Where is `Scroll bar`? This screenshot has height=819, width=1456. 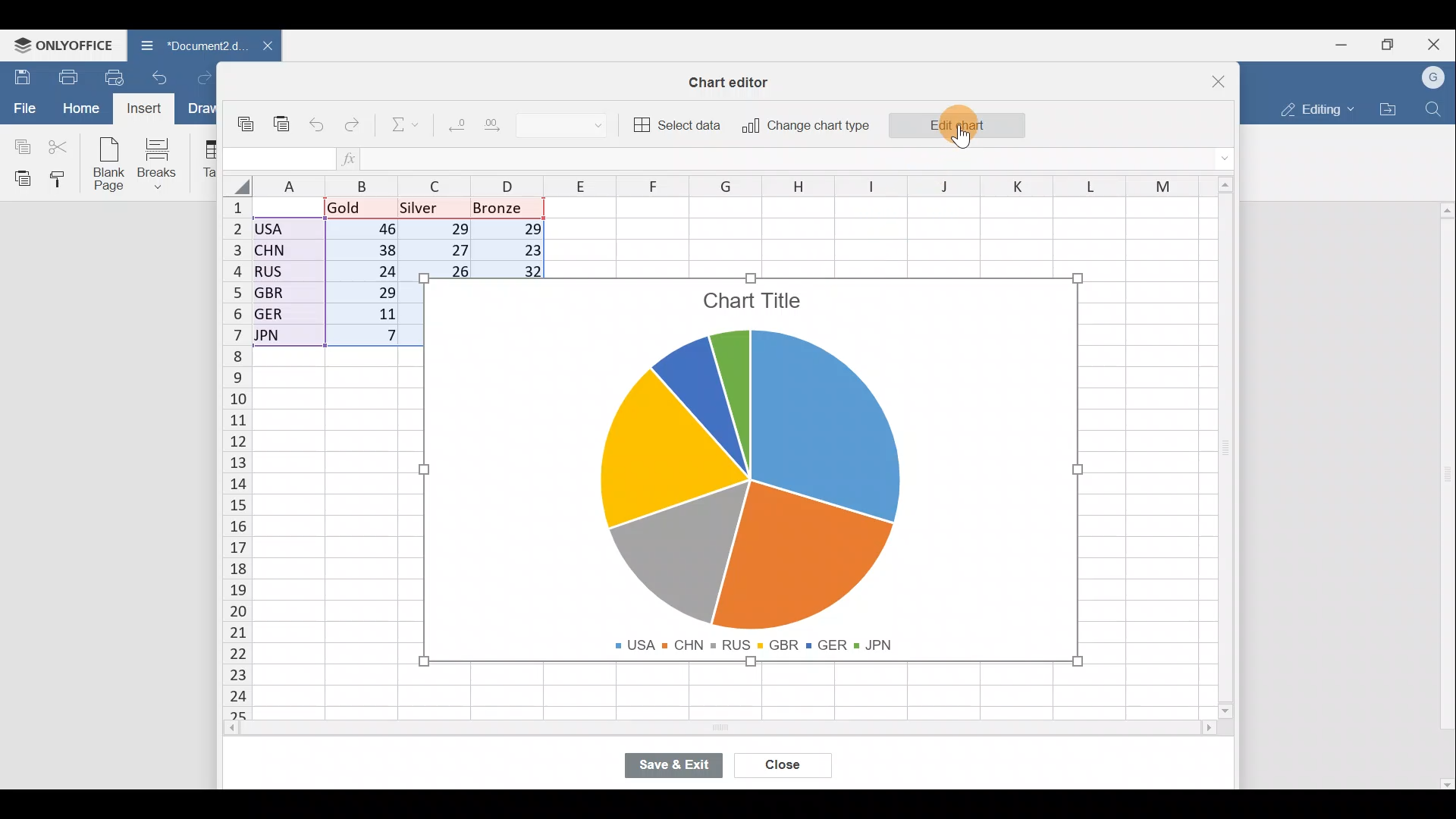
Scroll bar is located at coordinates (1442, 490).